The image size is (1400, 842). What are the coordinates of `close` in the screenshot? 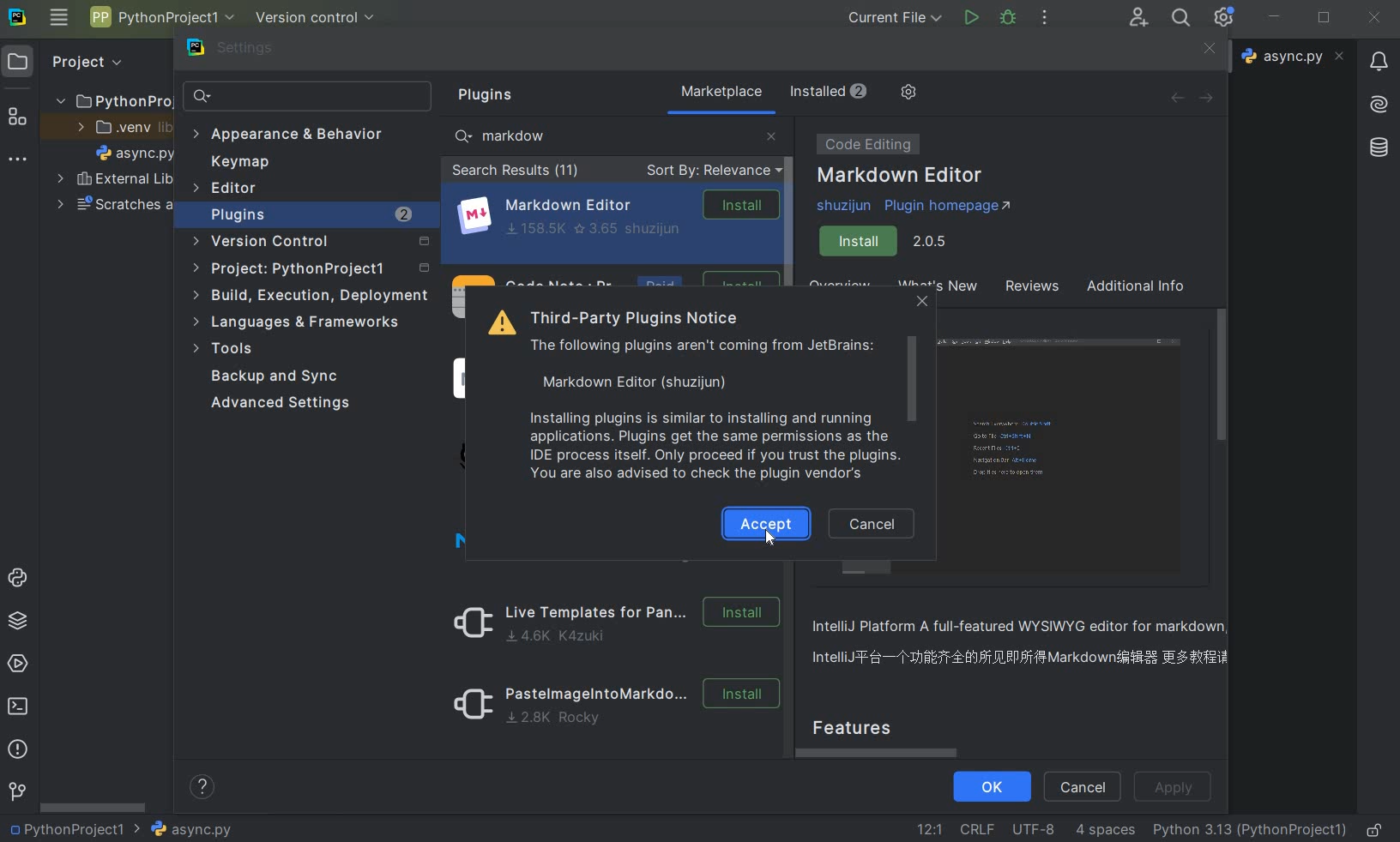 It's located at (1375, 19).